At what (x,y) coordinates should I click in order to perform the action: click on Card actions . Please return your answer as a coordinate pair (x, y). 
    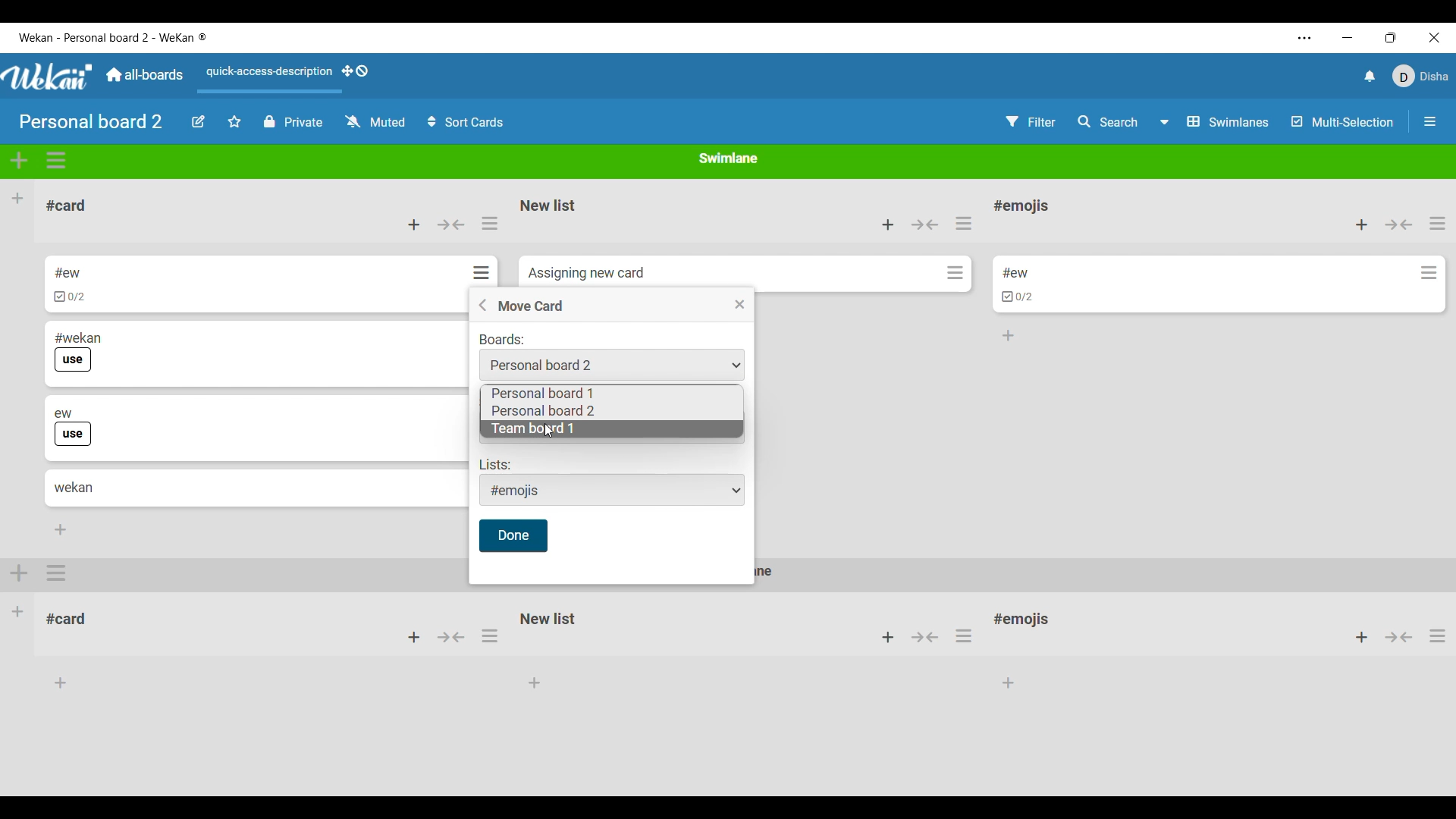
    Looking at the image, I should click on (485, 272).